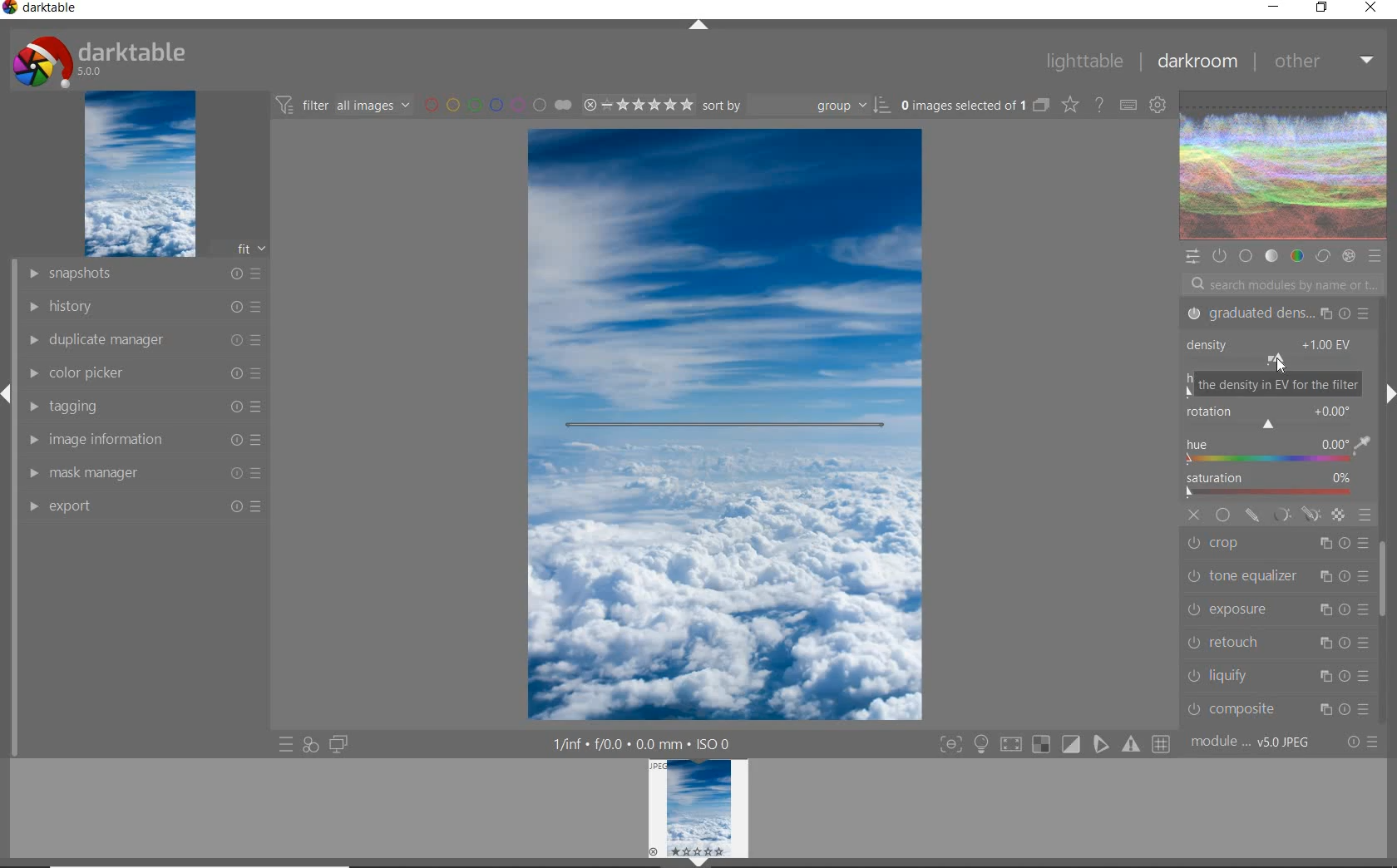 The width and height of the screenshot is (1397, 868). Describe the element at coordinates (1283, 367) in the screenshot. I see `cursor ` at that location.